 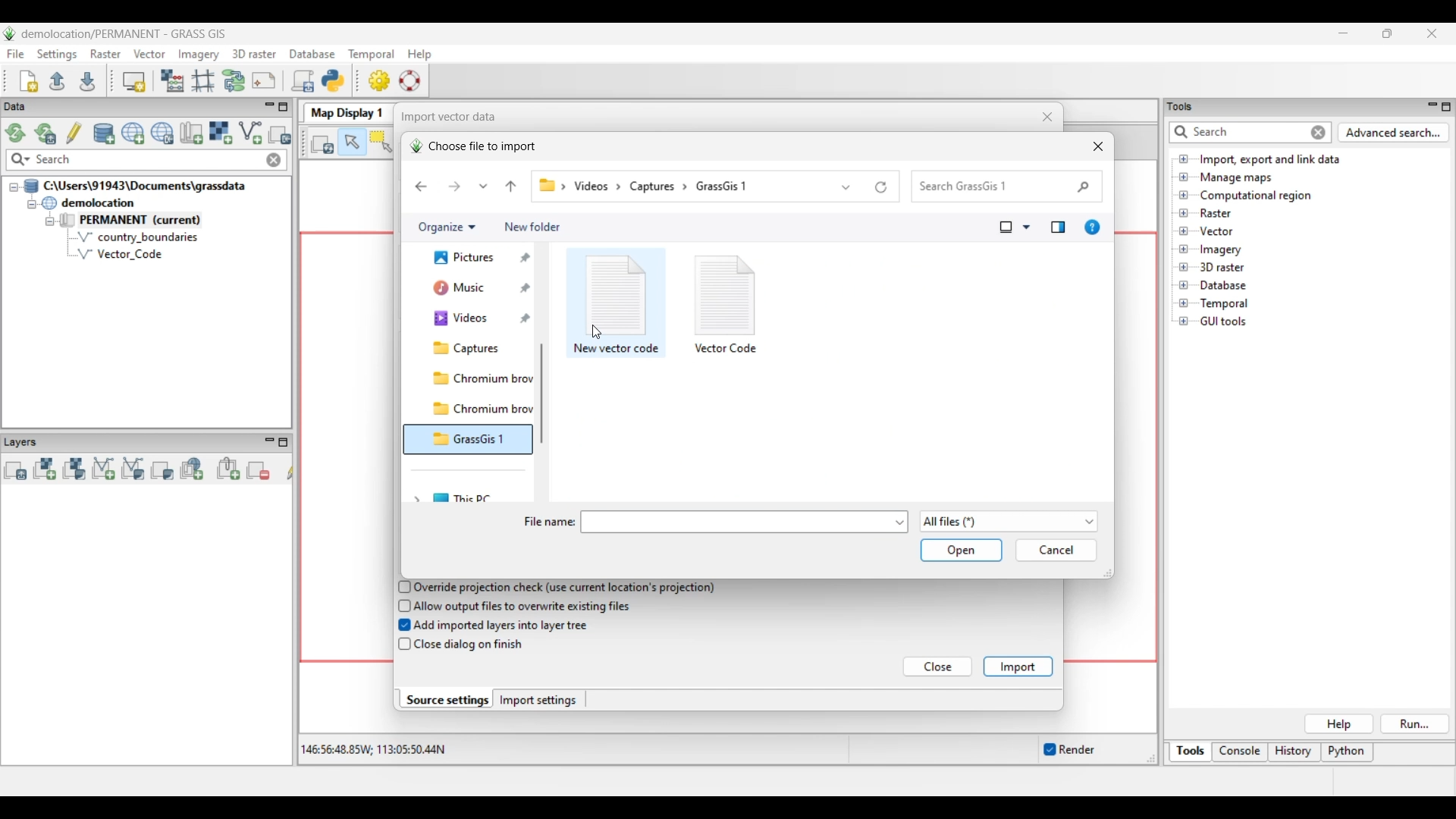 What do you see at coordinates (254, 53) in the screenshot?
I see `3D raster menu` at bounding box center [254, 53].